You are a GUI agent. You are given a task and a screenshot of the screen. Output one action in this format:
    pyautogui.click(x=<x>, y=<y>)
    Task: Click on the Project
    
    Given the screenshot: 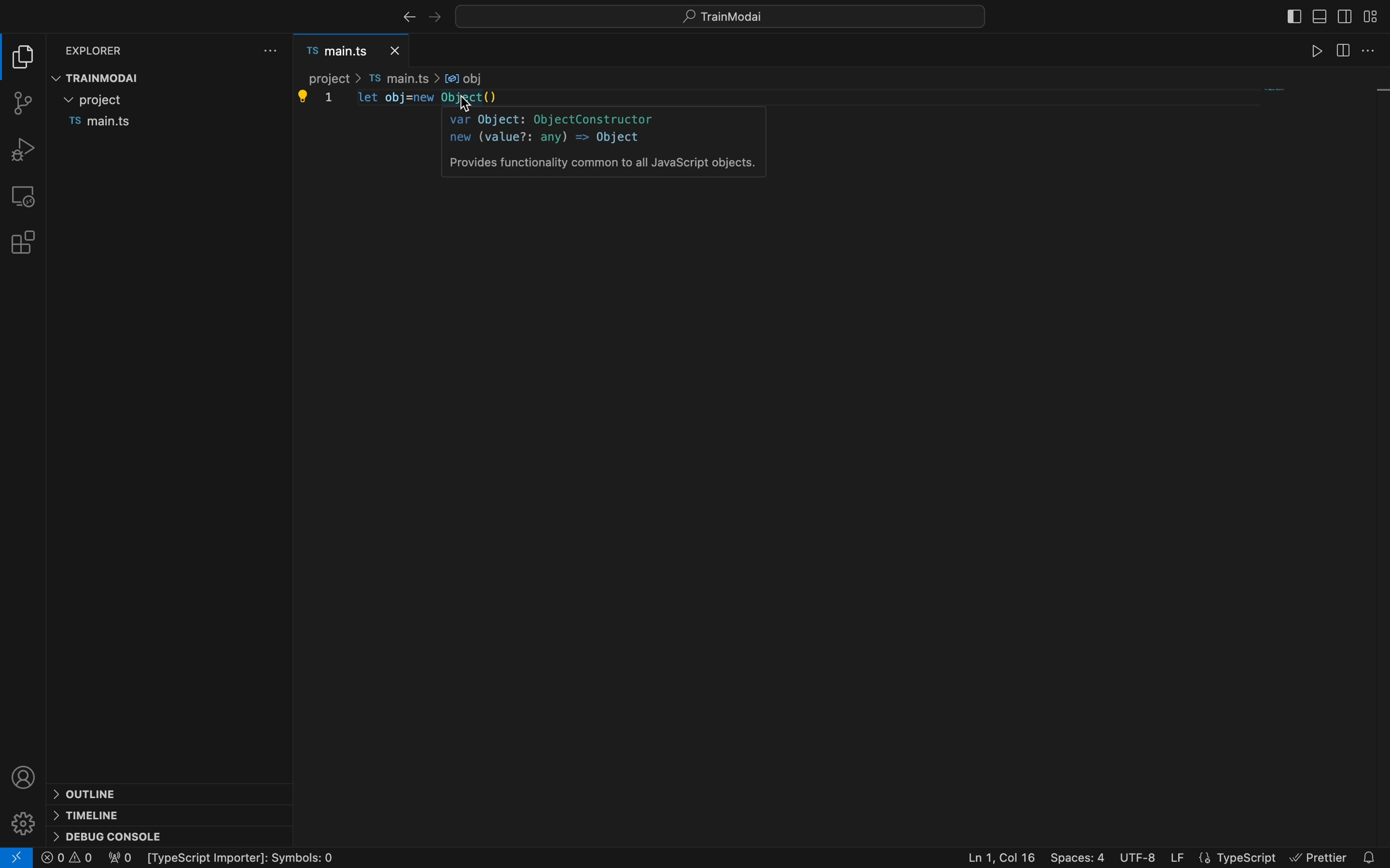 What is the action you would take?
    pyautogui.click(x=99, y=99)
    